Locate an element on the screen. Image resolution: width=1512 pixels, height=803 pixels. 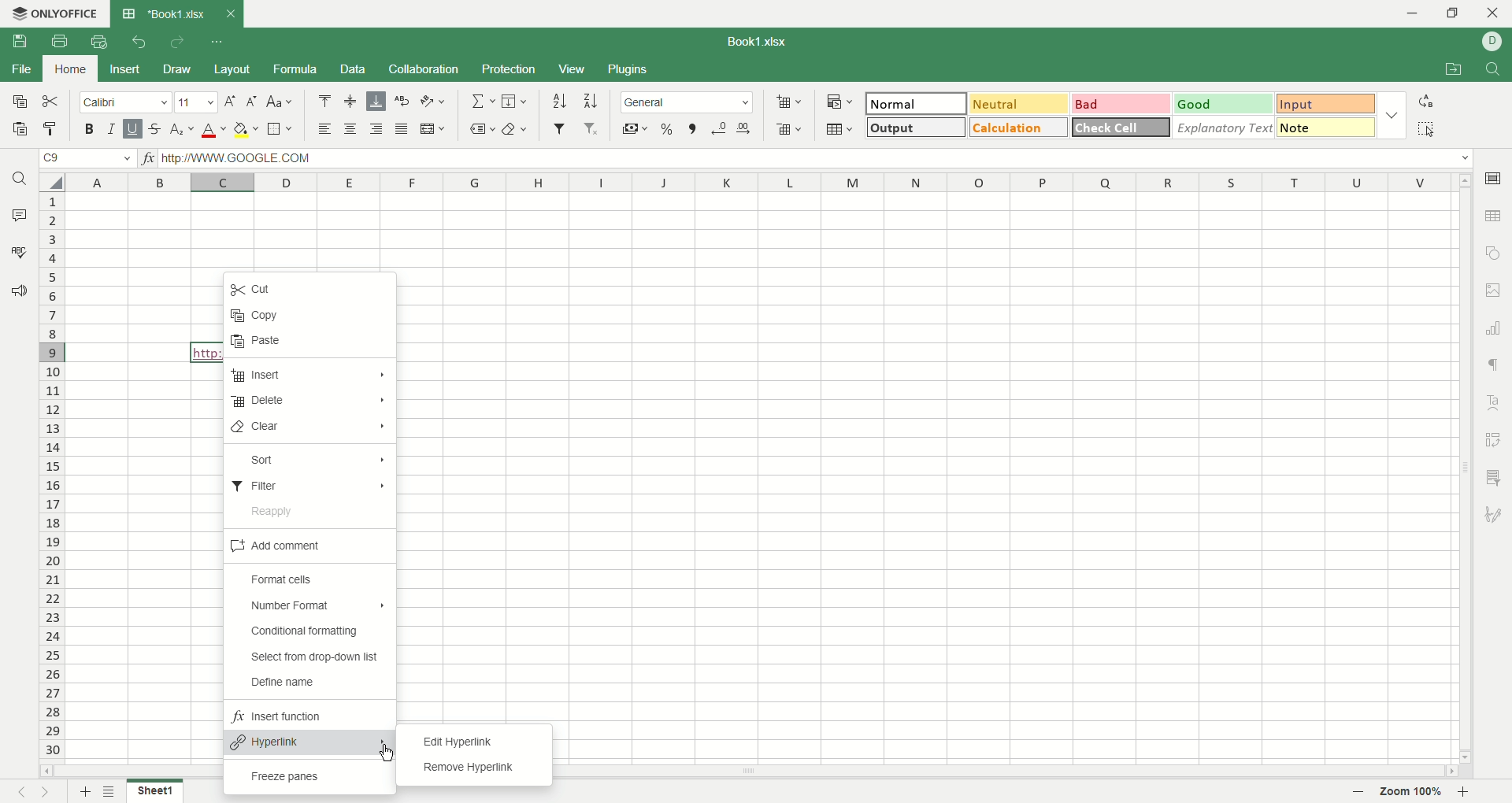
percent style is located at coordinates (666, 129).